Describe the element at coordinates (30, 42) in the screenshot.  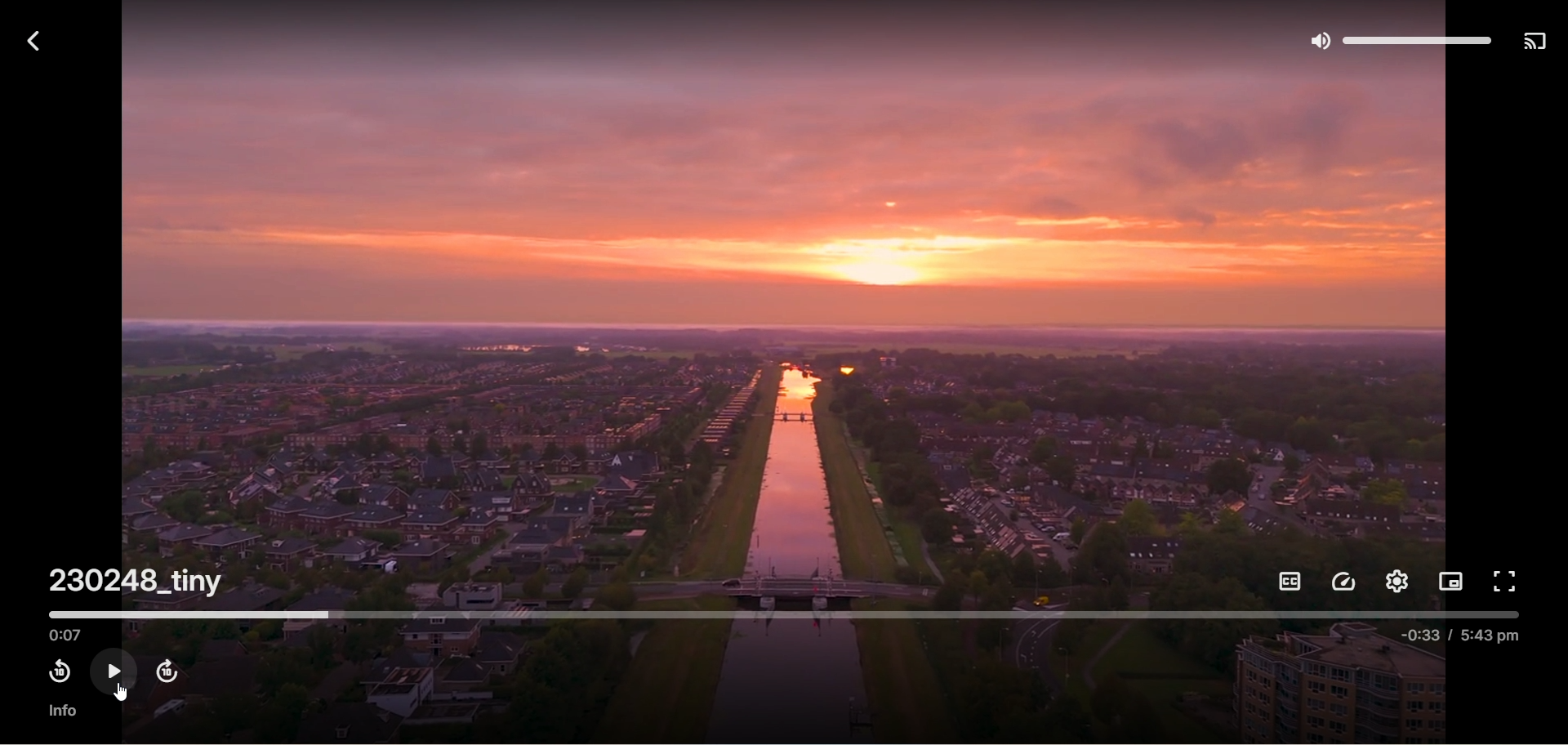
I see `back` at that location.